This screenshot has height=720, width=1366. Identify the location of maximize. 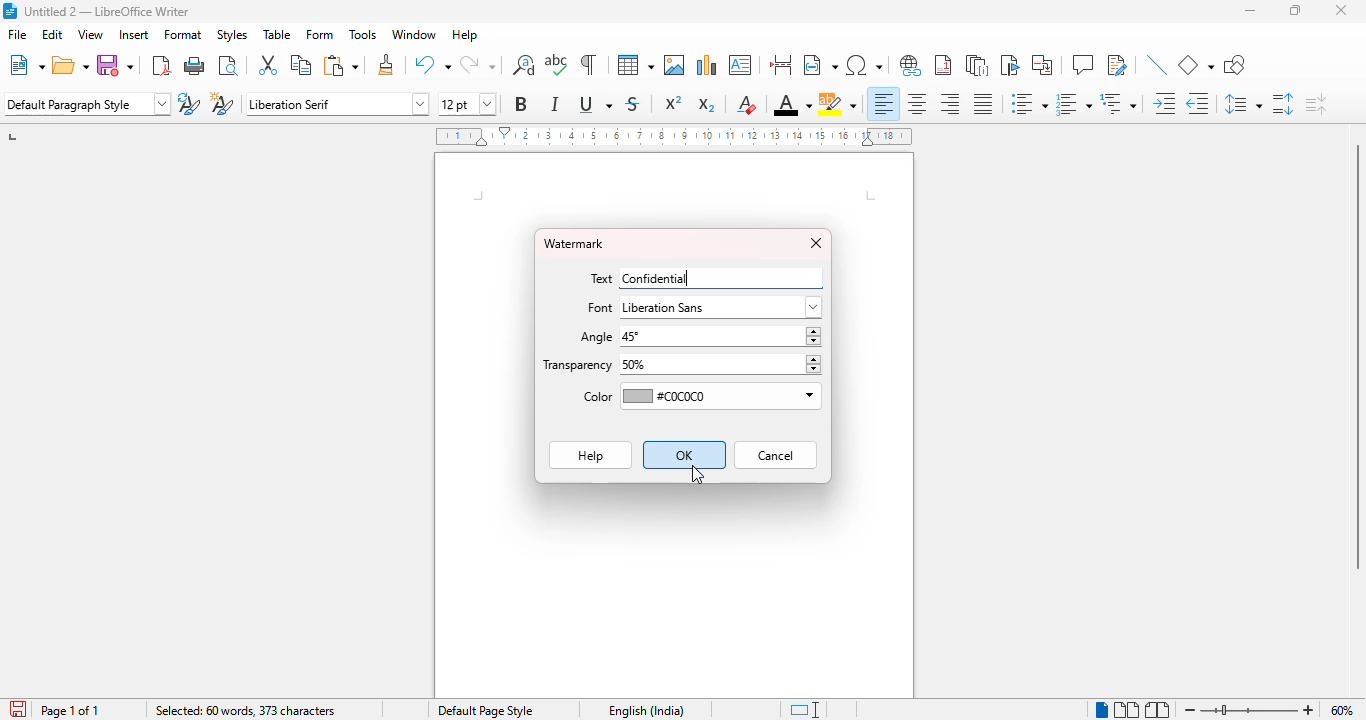
(1296, 10).